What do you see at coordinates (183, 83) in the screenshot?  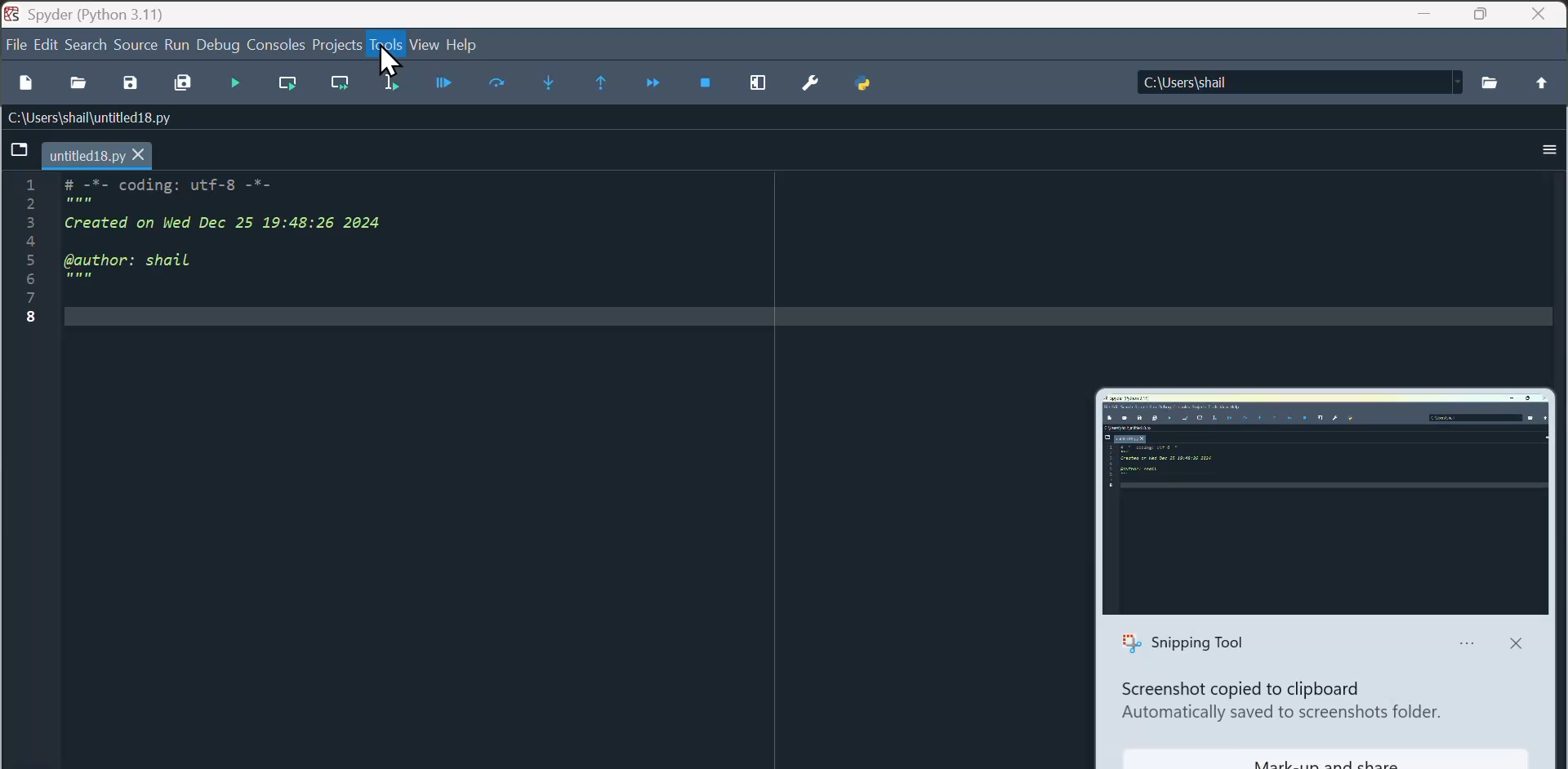 I see `Save all` at bounding box center [183, 83].